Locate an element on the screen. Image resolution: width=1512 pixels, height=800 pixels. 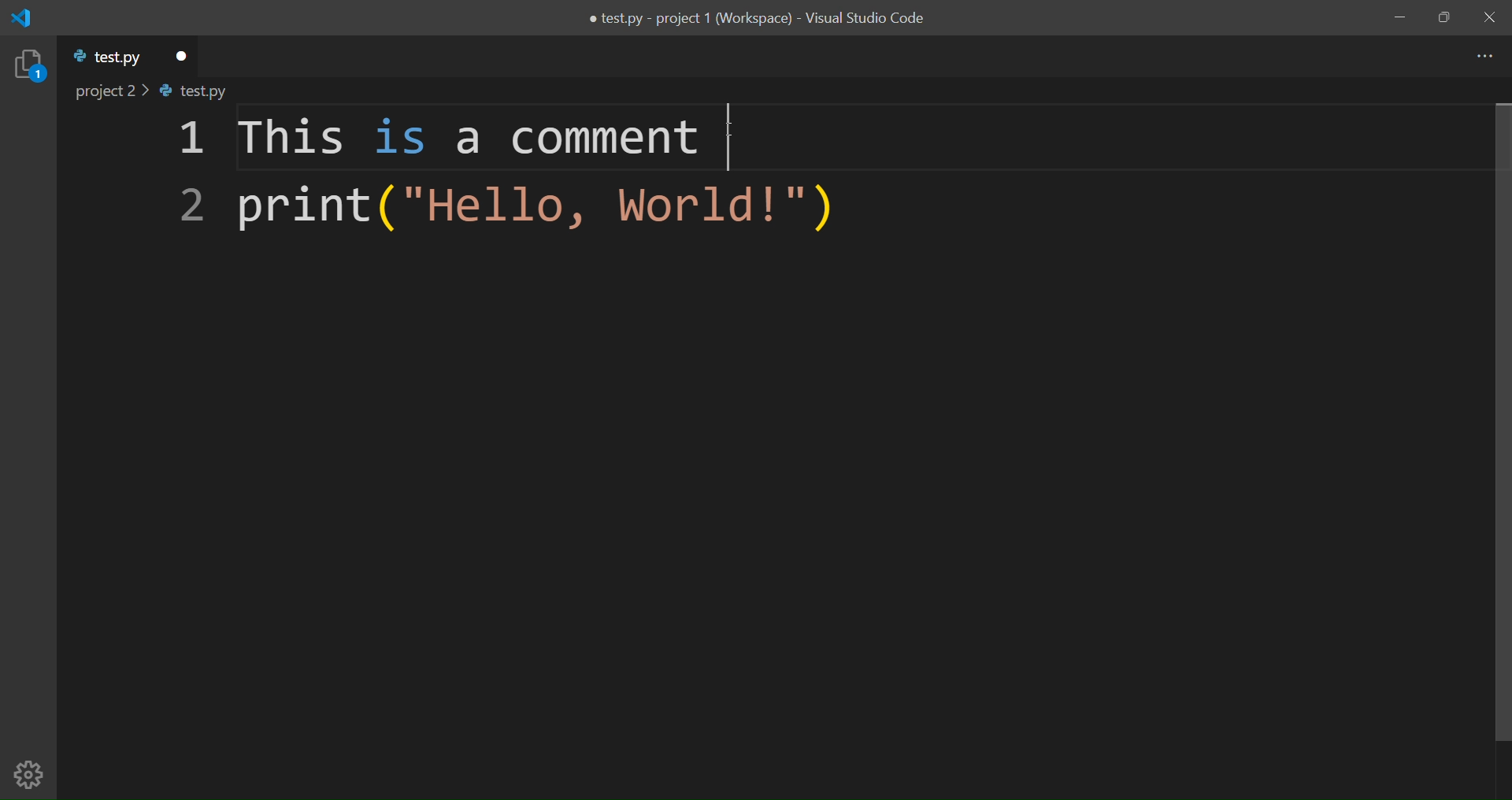
cursor is located at coordinates (732, 130).